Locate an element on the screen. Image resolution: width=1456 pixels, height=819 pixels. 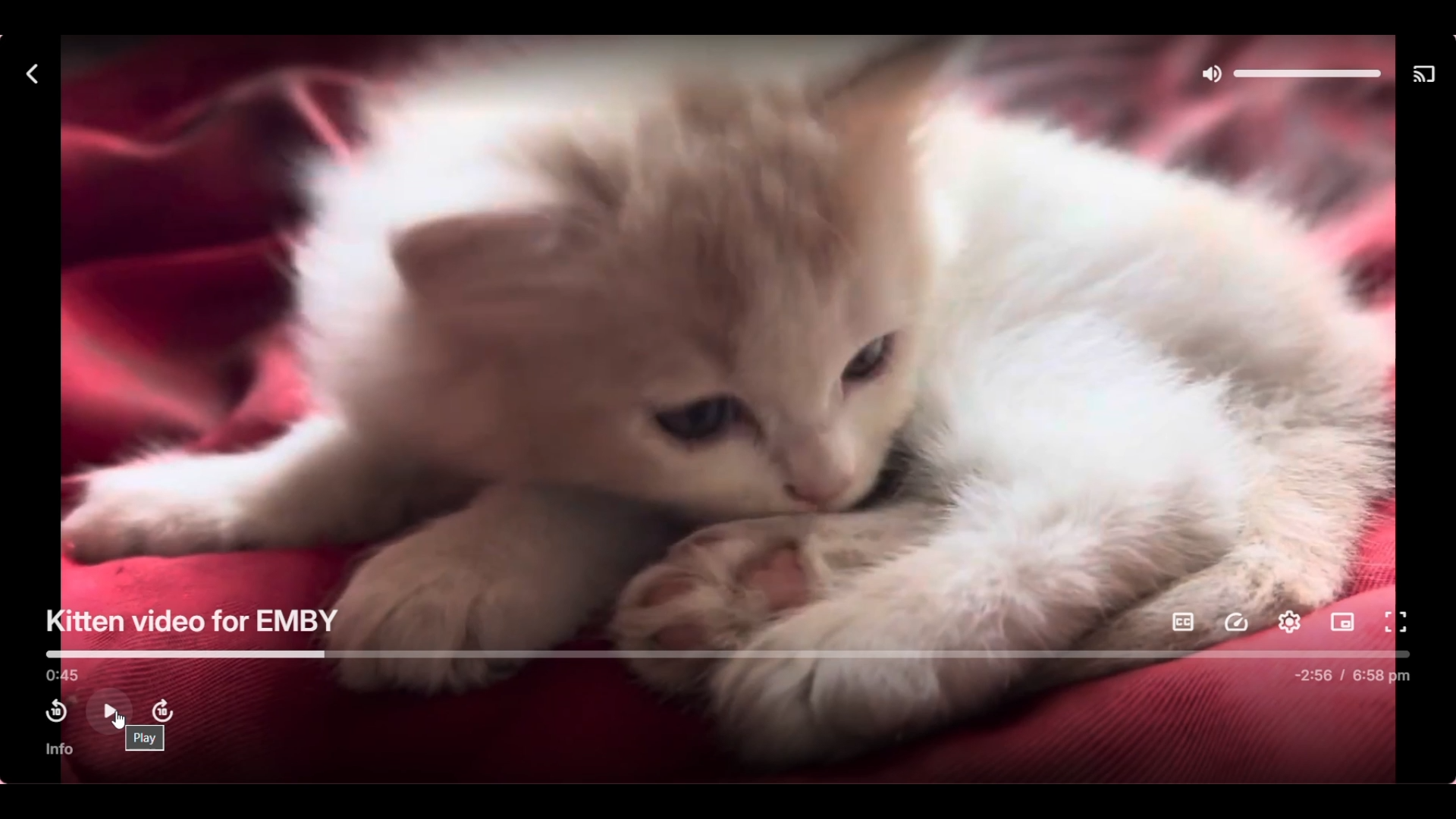
Go back is located at coordinates (31, 74).